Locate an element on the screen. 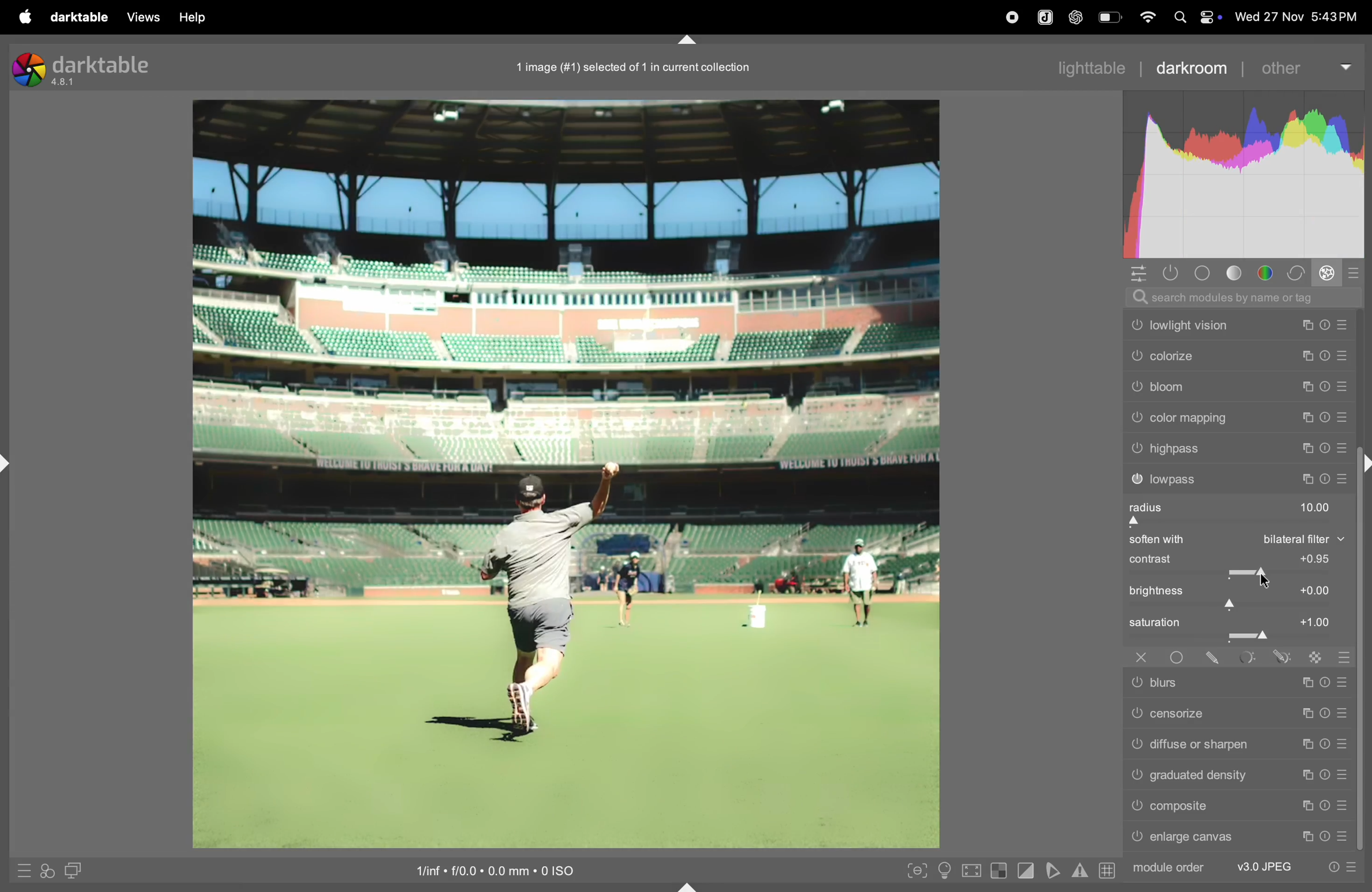 This screenshot has width=1372, height=892. histogram is located at coordinates (1249, 176).